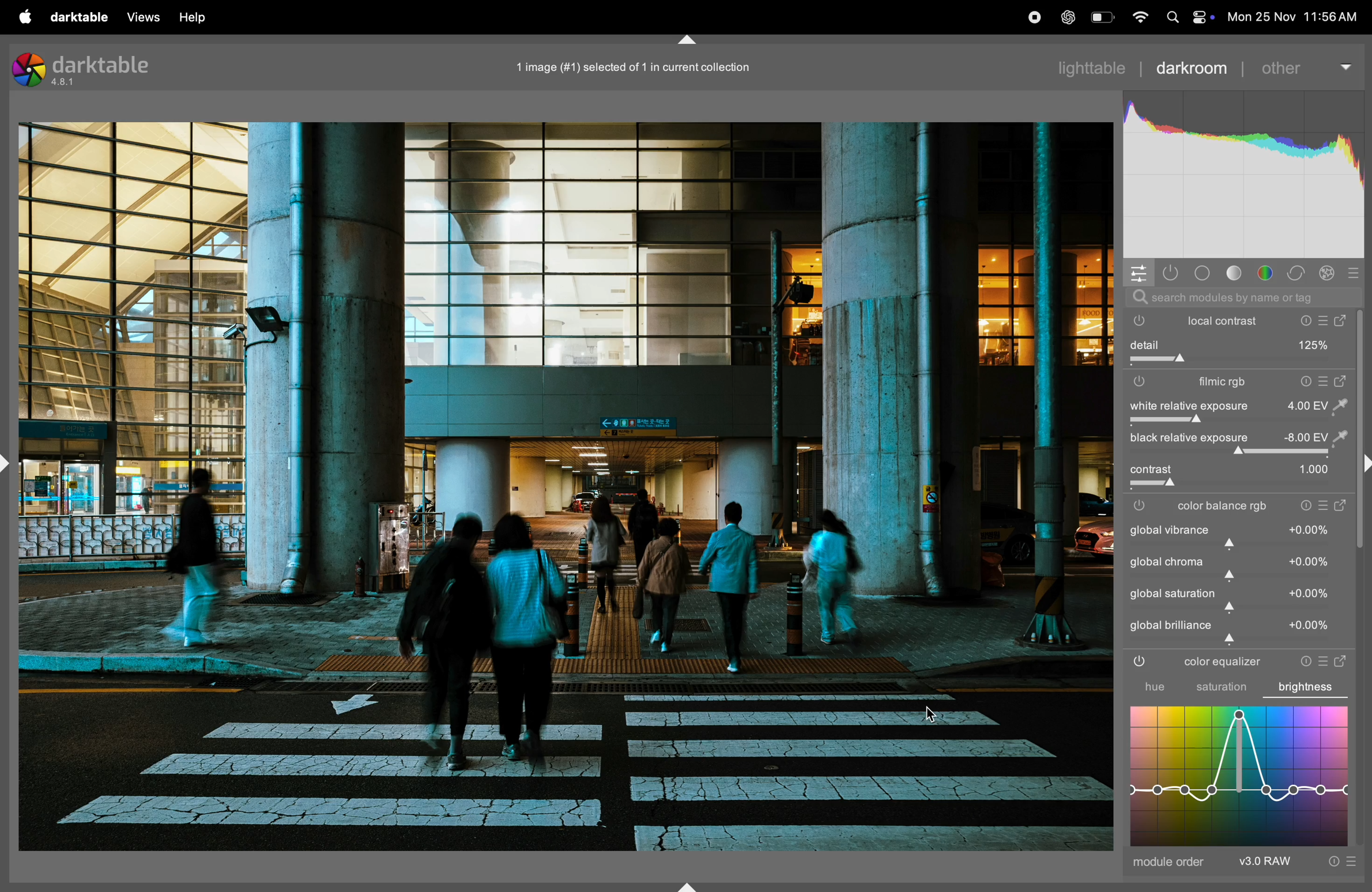  I want to click on darkroom, so click(1192, 66).